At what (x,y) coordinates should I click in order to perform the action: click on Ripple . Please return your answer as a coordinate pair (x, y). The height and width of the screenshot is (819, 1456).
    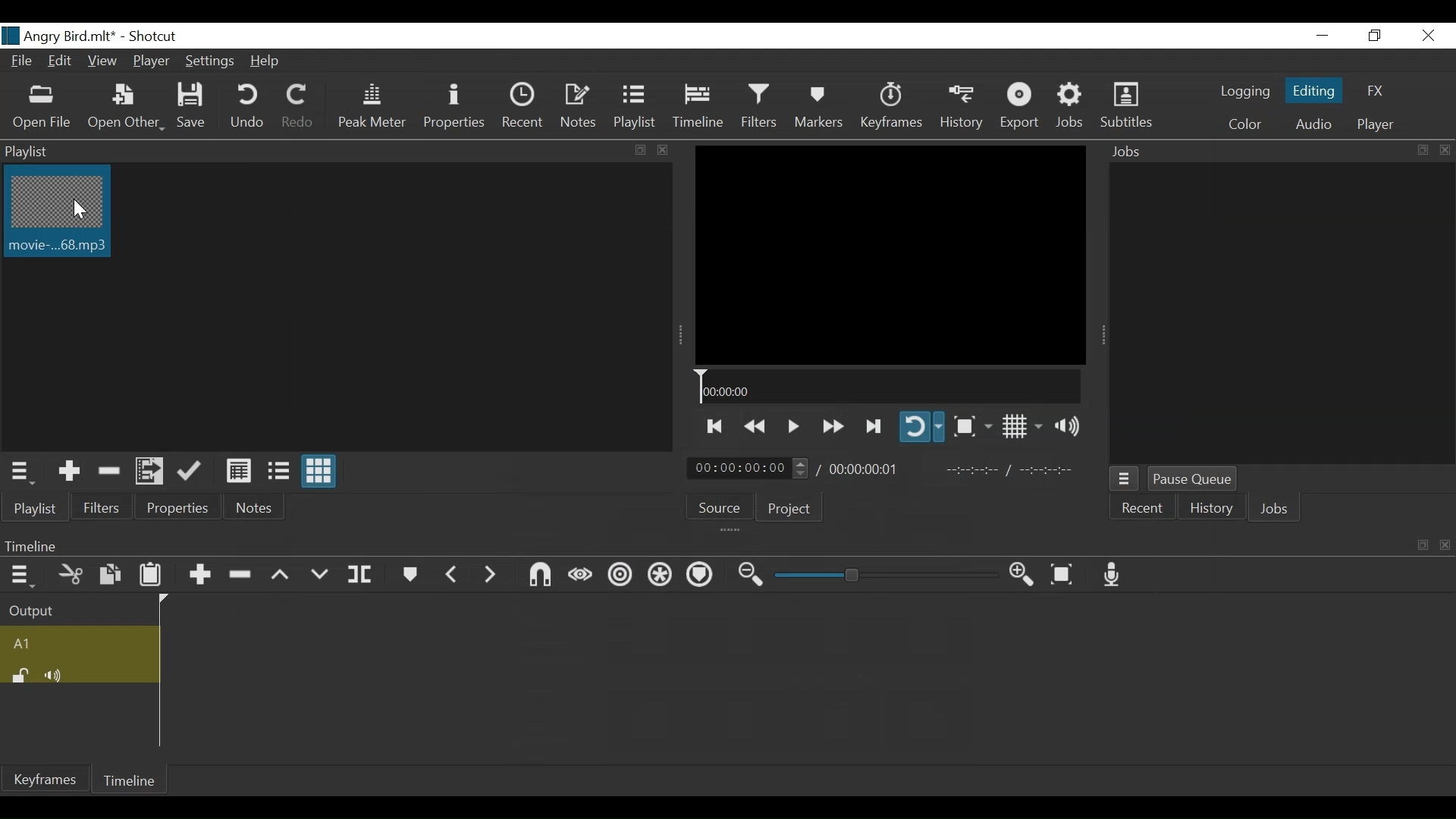
    Looking at the image, I should click on (618, 576).